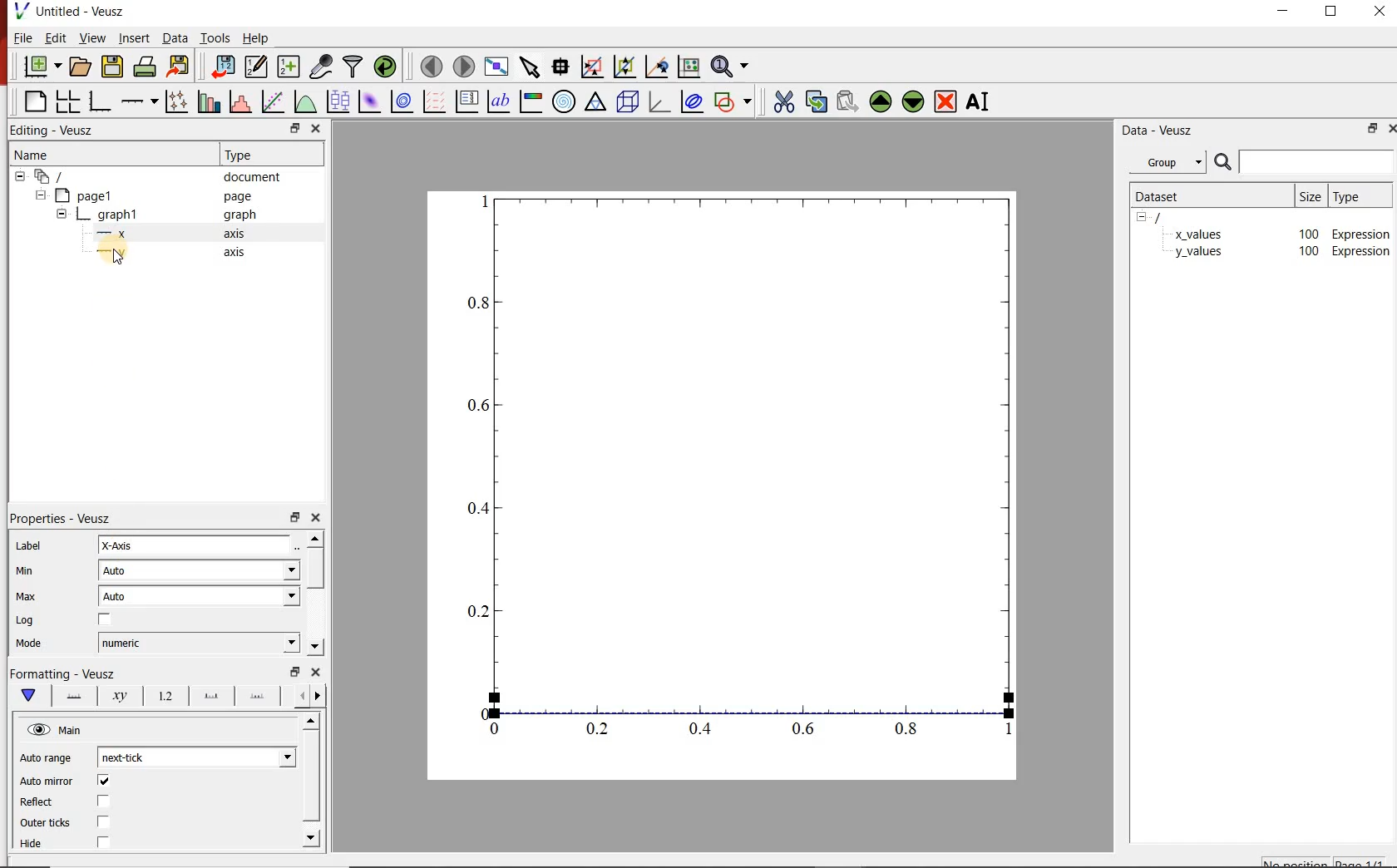 The height and width of the screenshot is (868, 1397). What do you see at coordinates (16, 11) in the screenshot?
I see `veusz logo` at bounding box center [16, 11].